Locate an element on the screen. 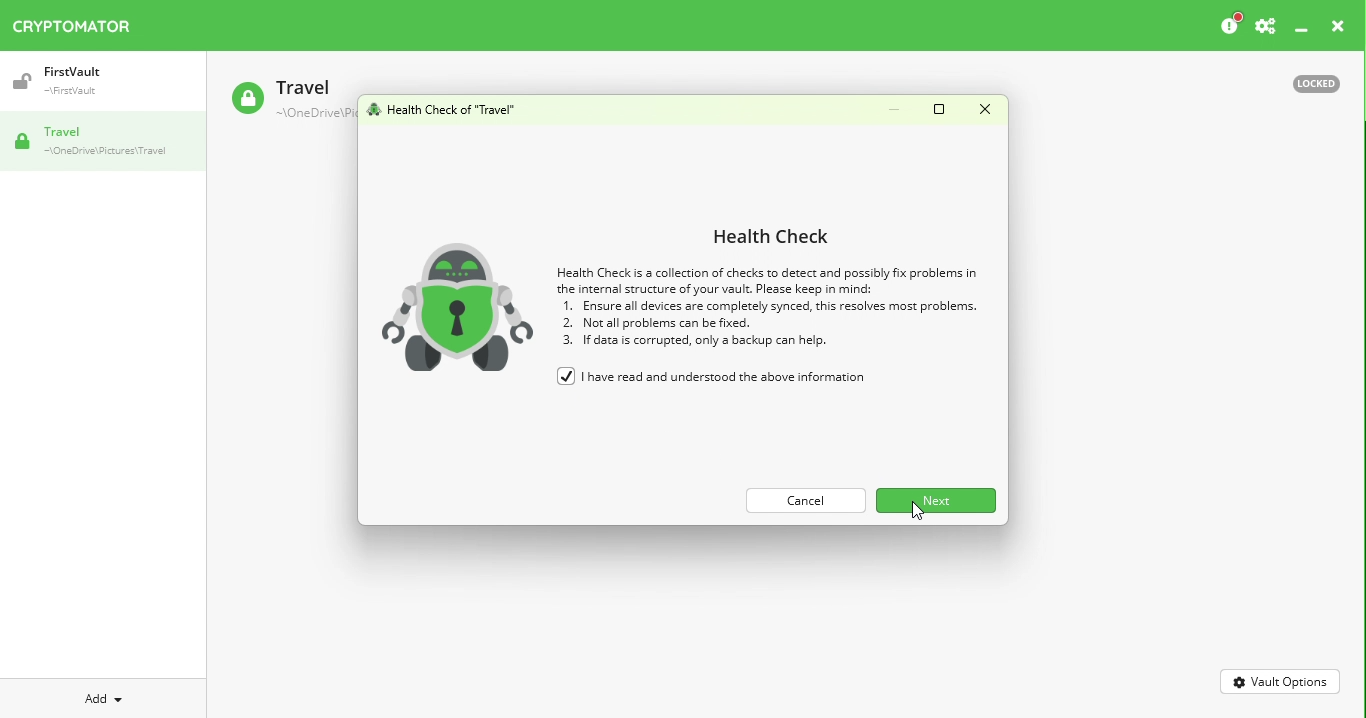 The image size is (1366, 718). Add Dropdown is located at coordinates (95, 697).